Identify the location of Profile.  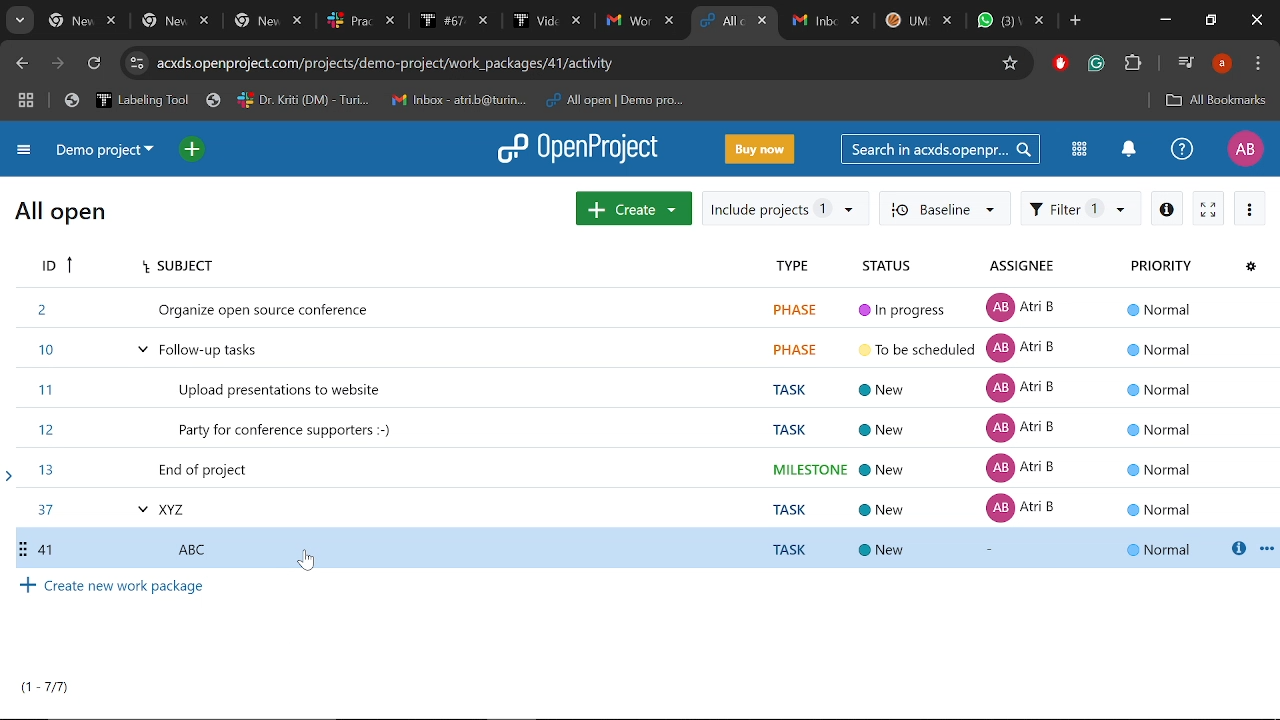
(1221, 64).